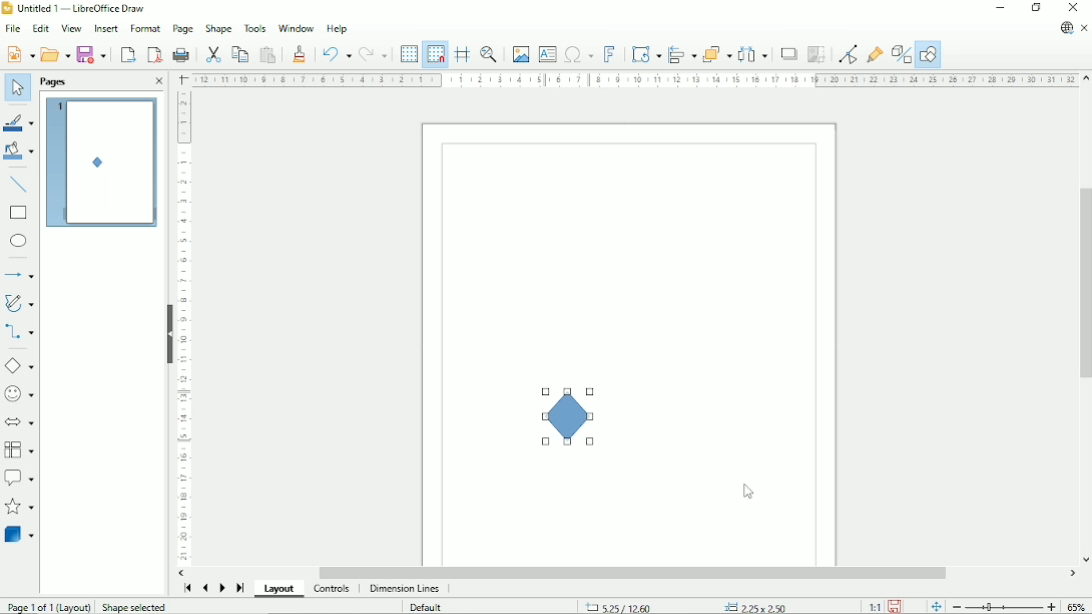 The width and height of the screenshot is (1092, 614). Describe the element at coordinates (548, 54) in the screenshot. I see `Insert text box` at that location.